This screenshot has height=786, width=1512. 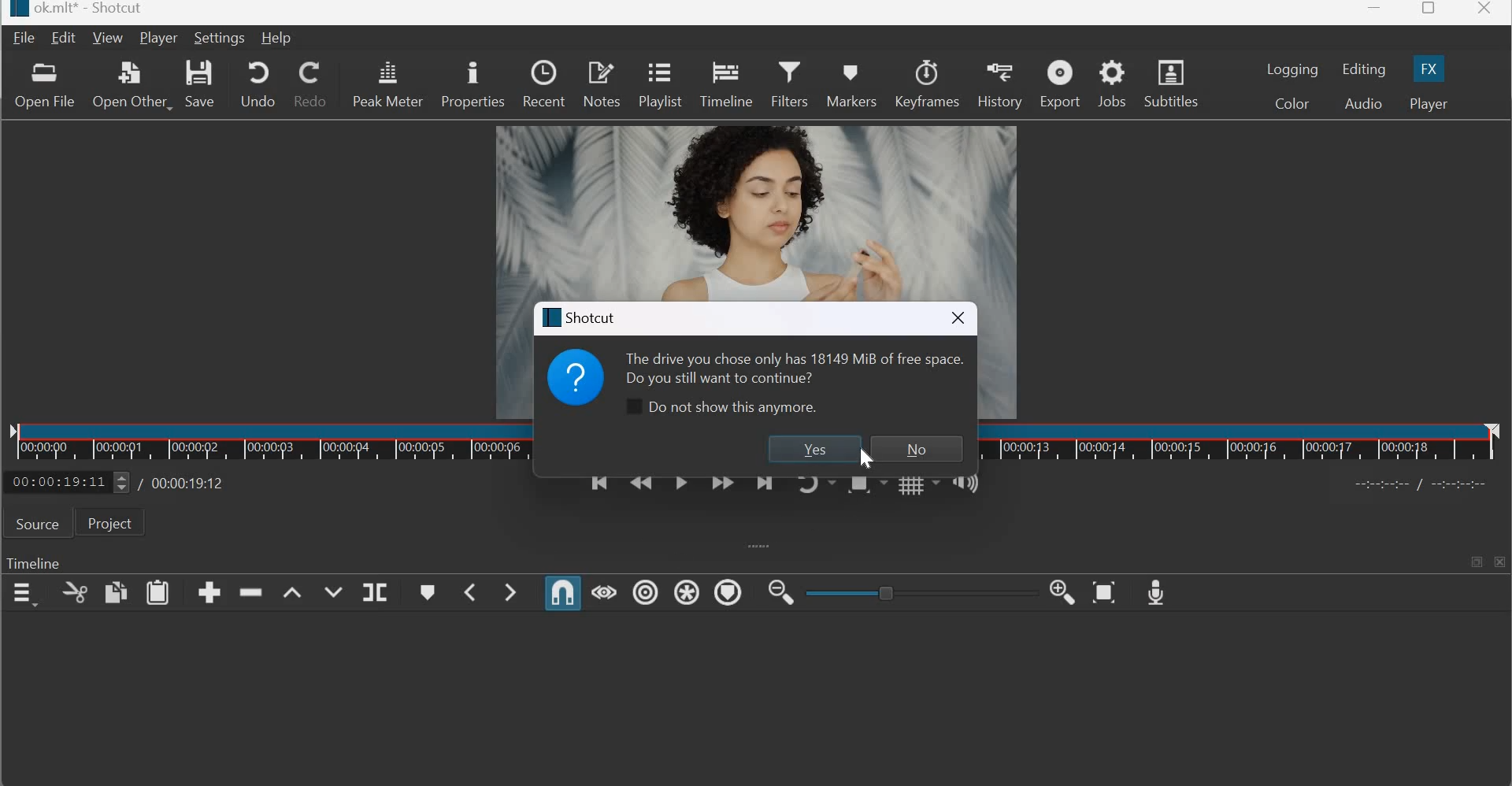 What do you see at coordinates (209, 591) in the screenshot?
I see `append` at bounding box center [209, 591].